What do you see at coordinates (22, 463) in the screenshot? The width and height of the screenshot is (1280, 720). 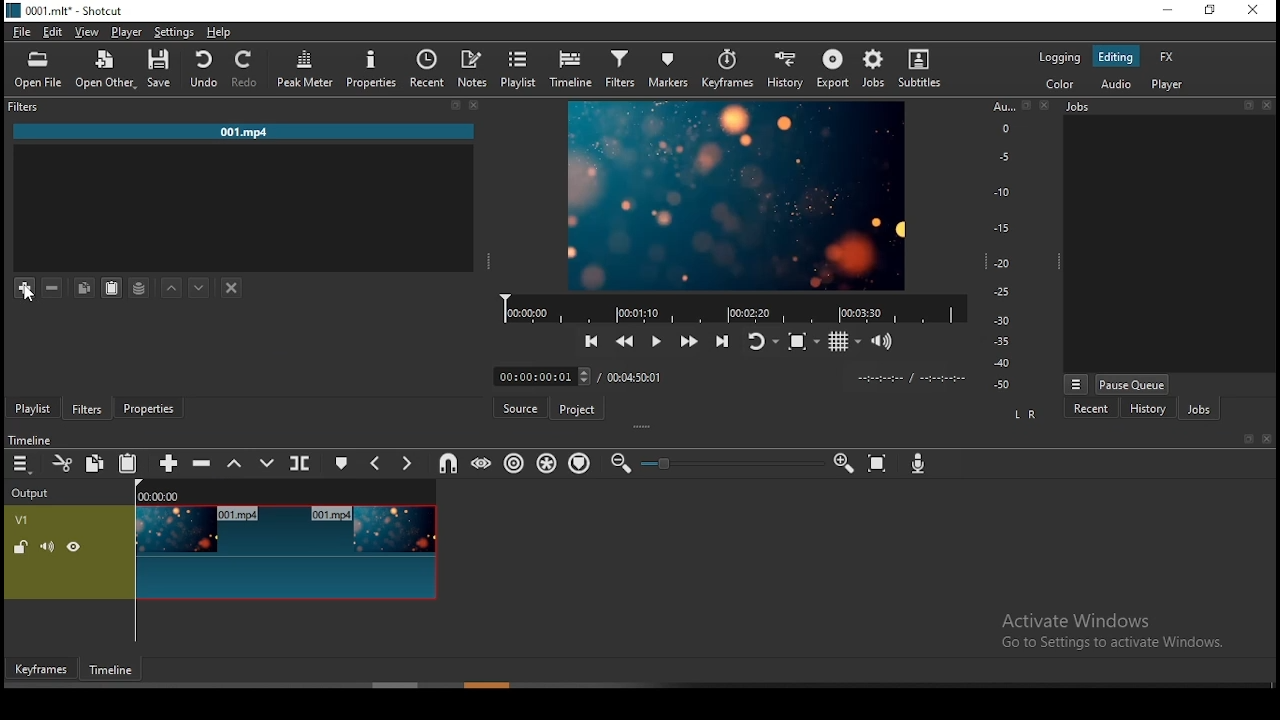 I see `timeline menu` at bounding box center [22, 463].